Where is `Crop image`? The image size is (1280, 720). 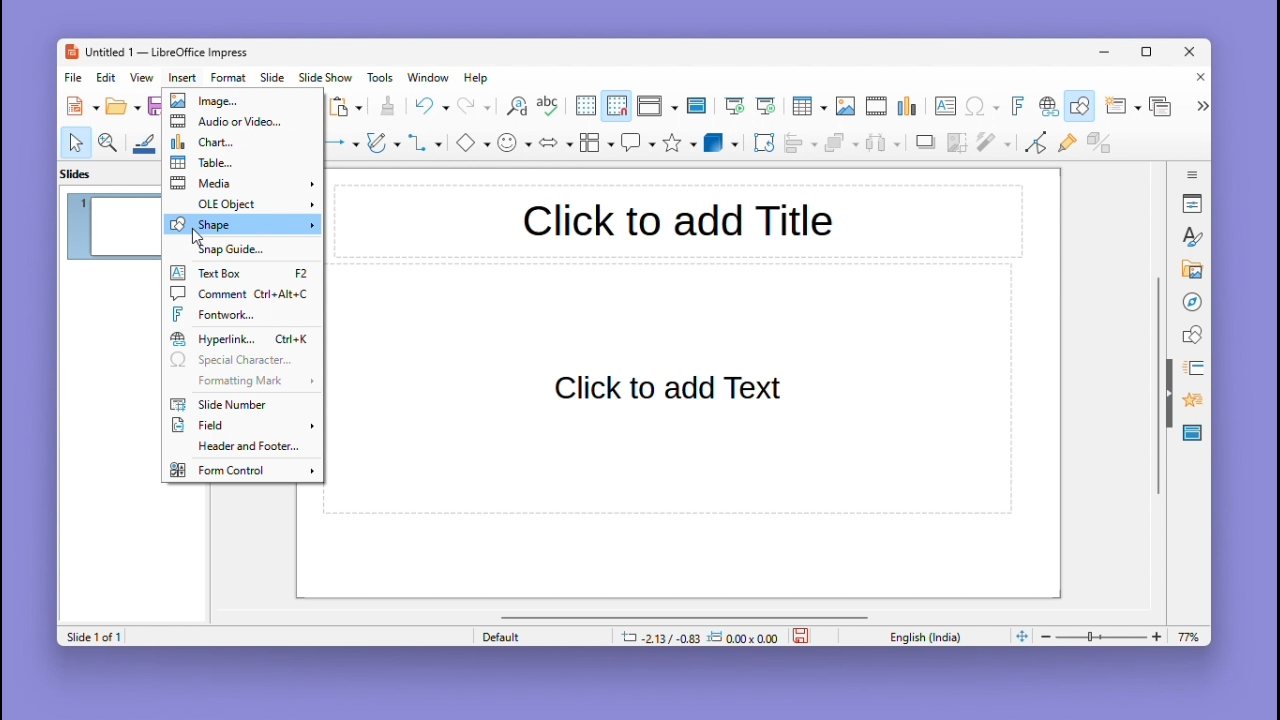 Crop image is located at coordinates (958, 147).